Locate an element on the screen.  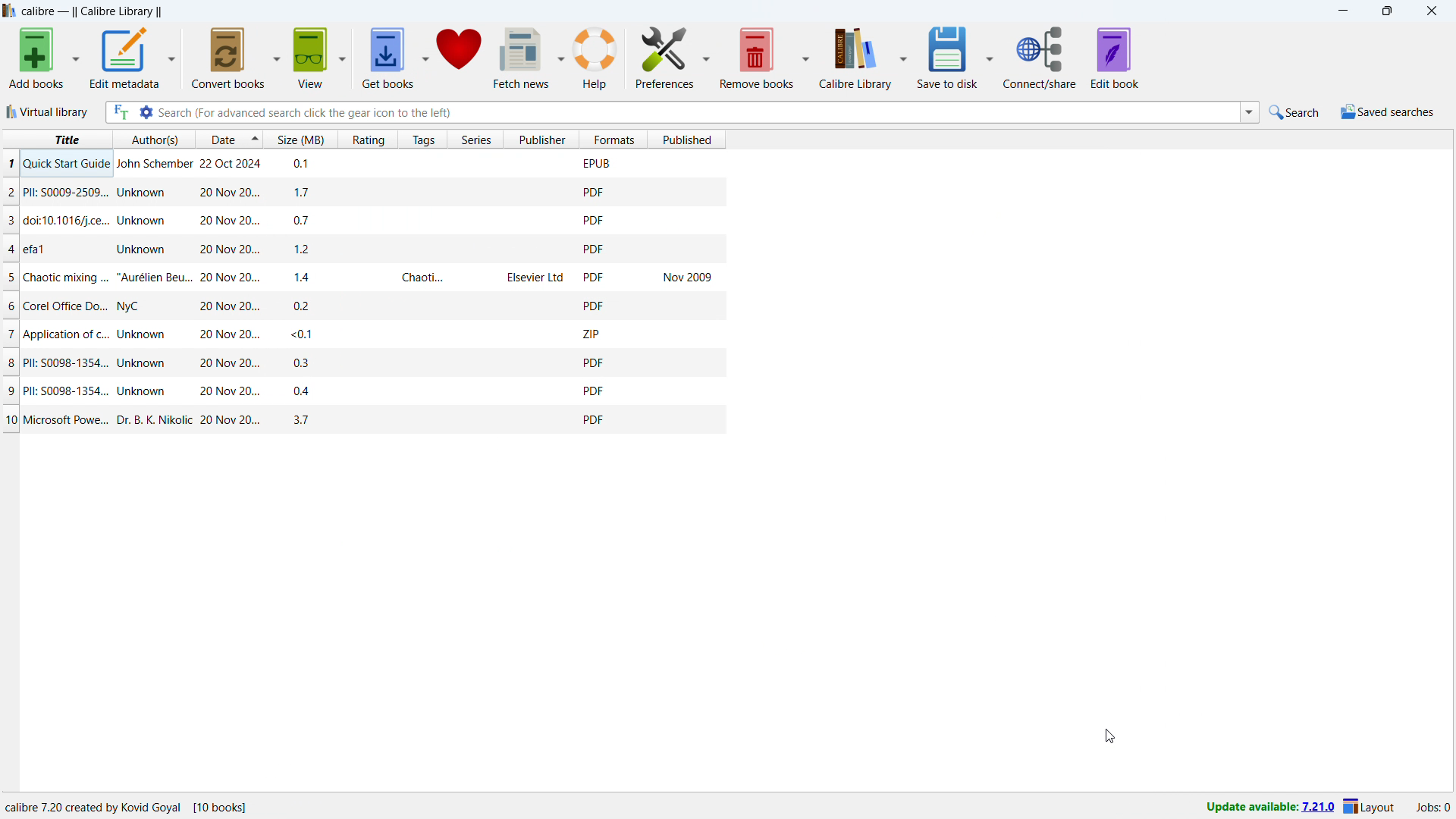
add books is located at coordinates (37, 58).